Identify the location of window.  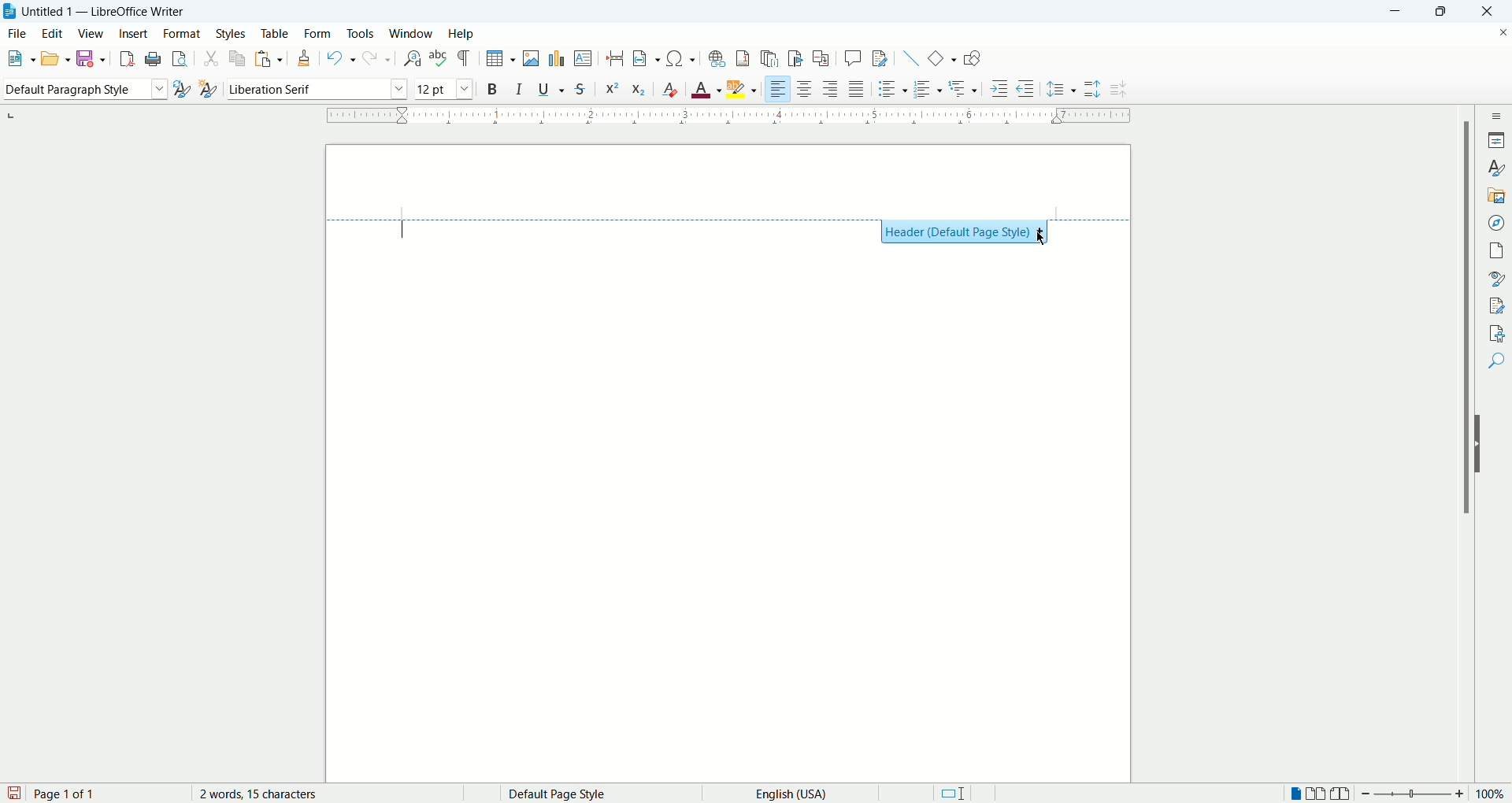
(413, 33).